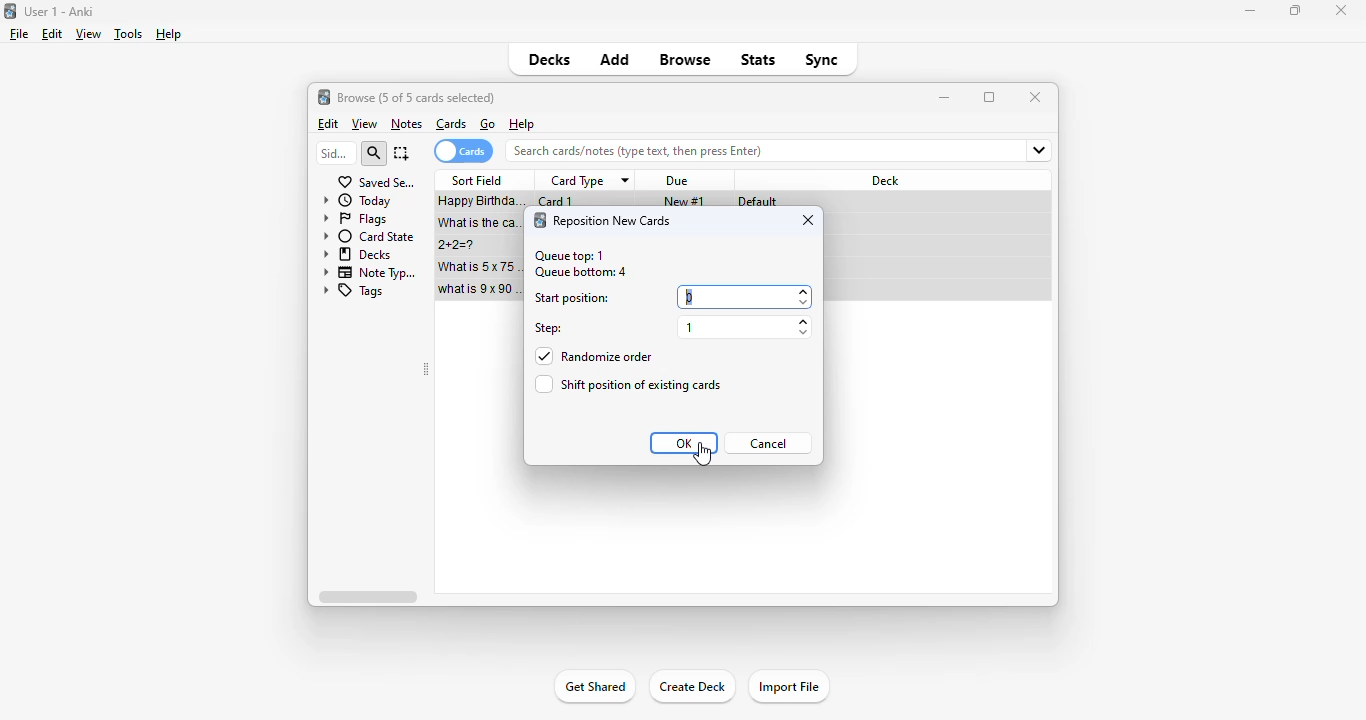  What do you see at coordinates (481, 223) in the screenshot?
I see `what is the capital of France?` at bounding box center [481, 223].